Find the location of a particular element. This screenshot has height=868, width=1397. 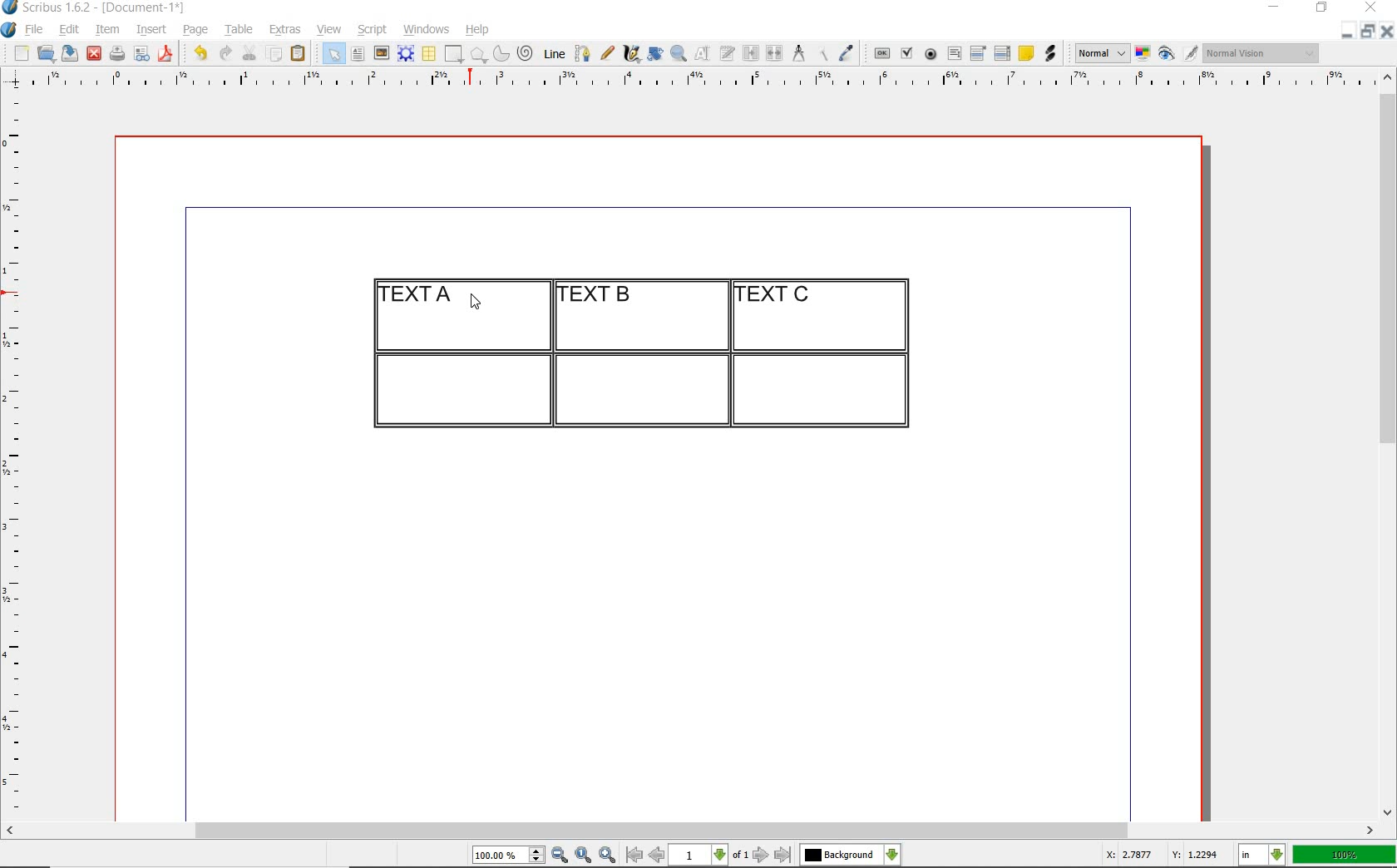

copy is located at coordinates (275, 55).